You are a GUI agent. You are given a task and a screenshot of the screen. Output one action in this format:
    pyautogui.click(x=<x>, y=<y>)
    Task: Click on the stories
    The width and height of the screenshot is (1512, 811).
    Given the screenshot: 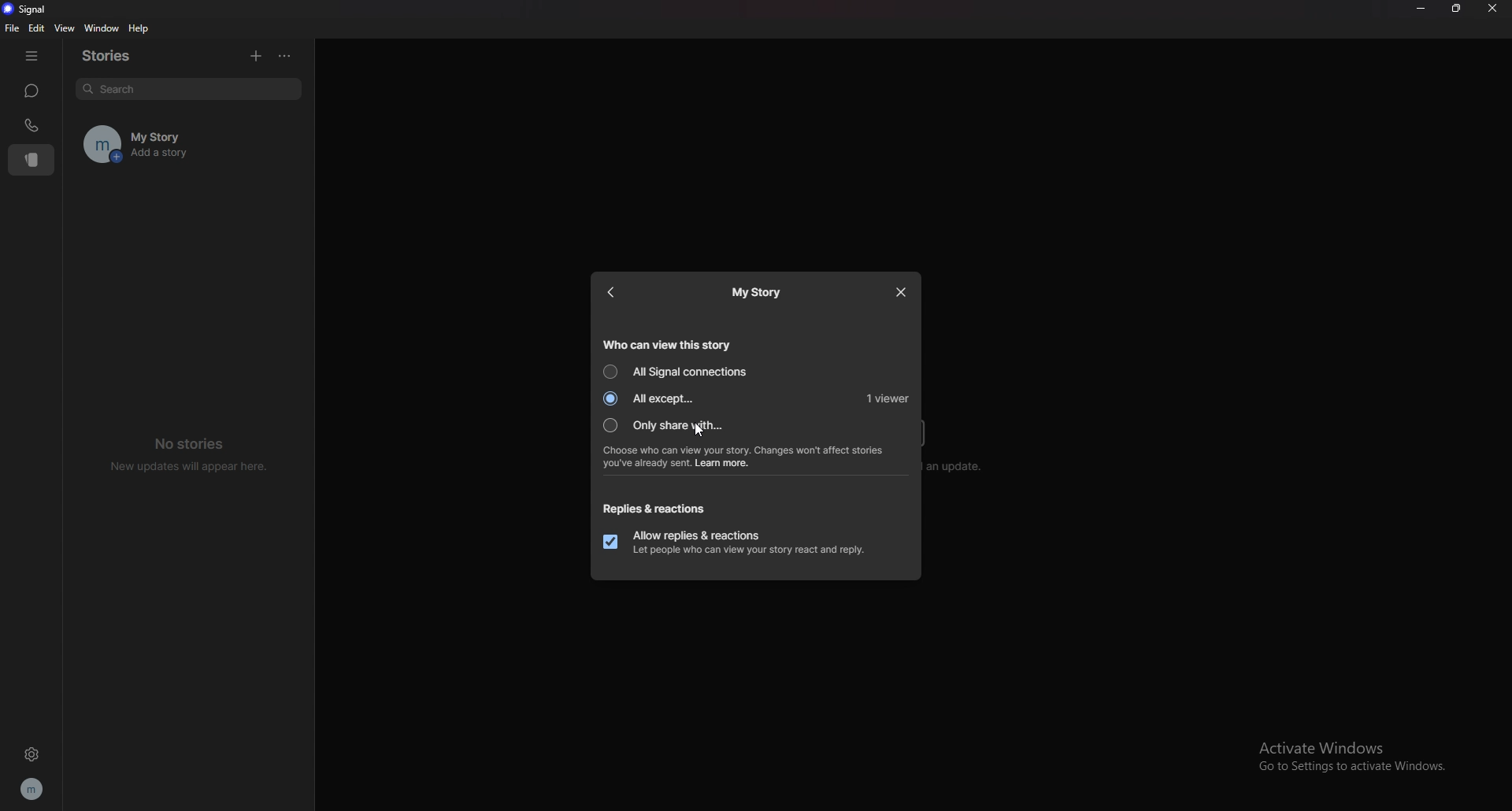 What is the action you would take?
    pyautogui.click(x=31, y=161)
    